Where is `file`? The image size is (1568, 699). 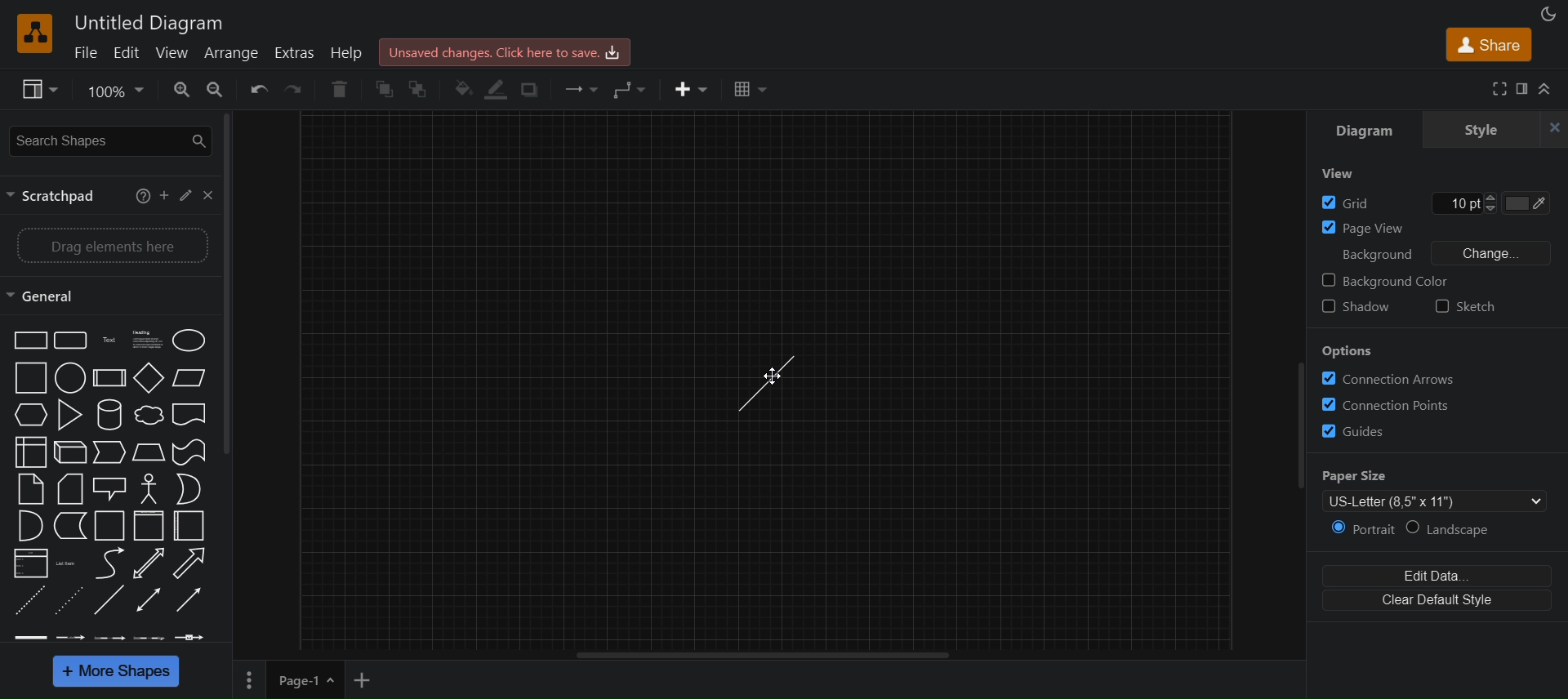
file is located at coordinates (86, 52).